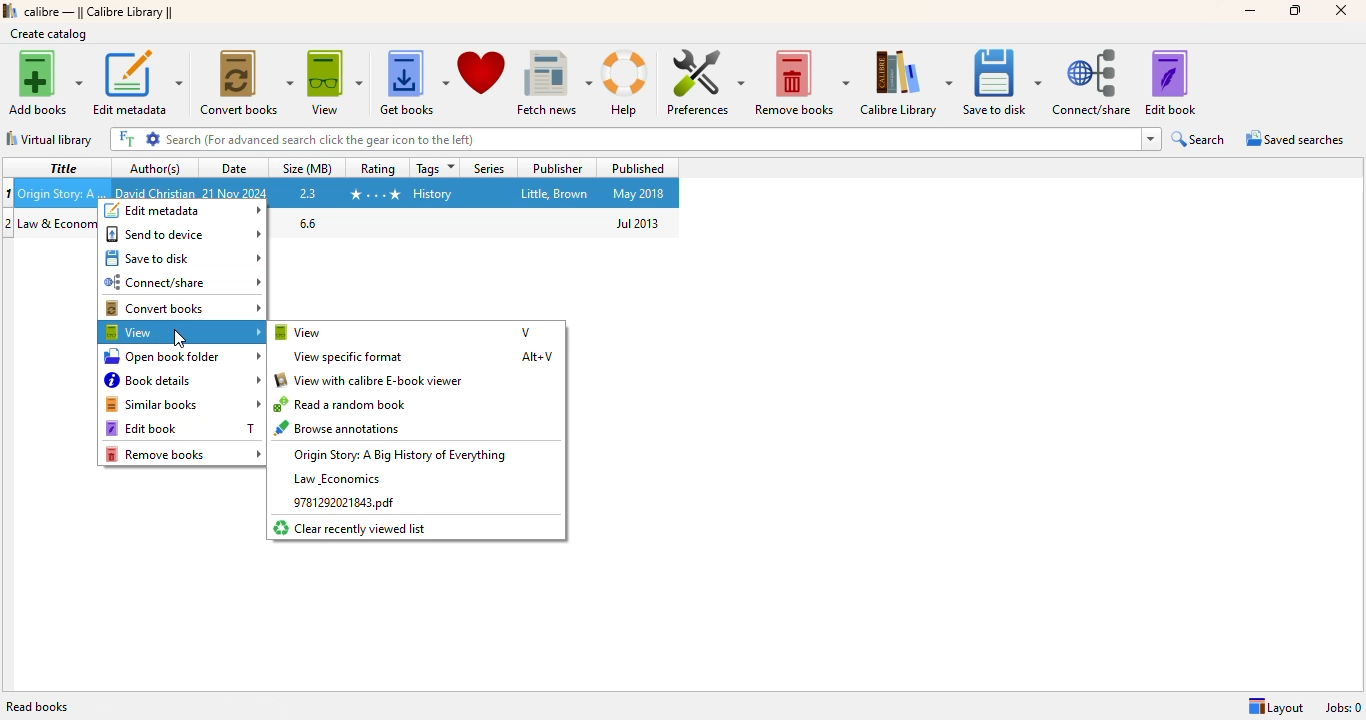 The height and width of the screenshot is (720, 1366). What do you see at coordinates (182, 404) in the screenshot?
I see `similar books` at bounding box center [182, 404].